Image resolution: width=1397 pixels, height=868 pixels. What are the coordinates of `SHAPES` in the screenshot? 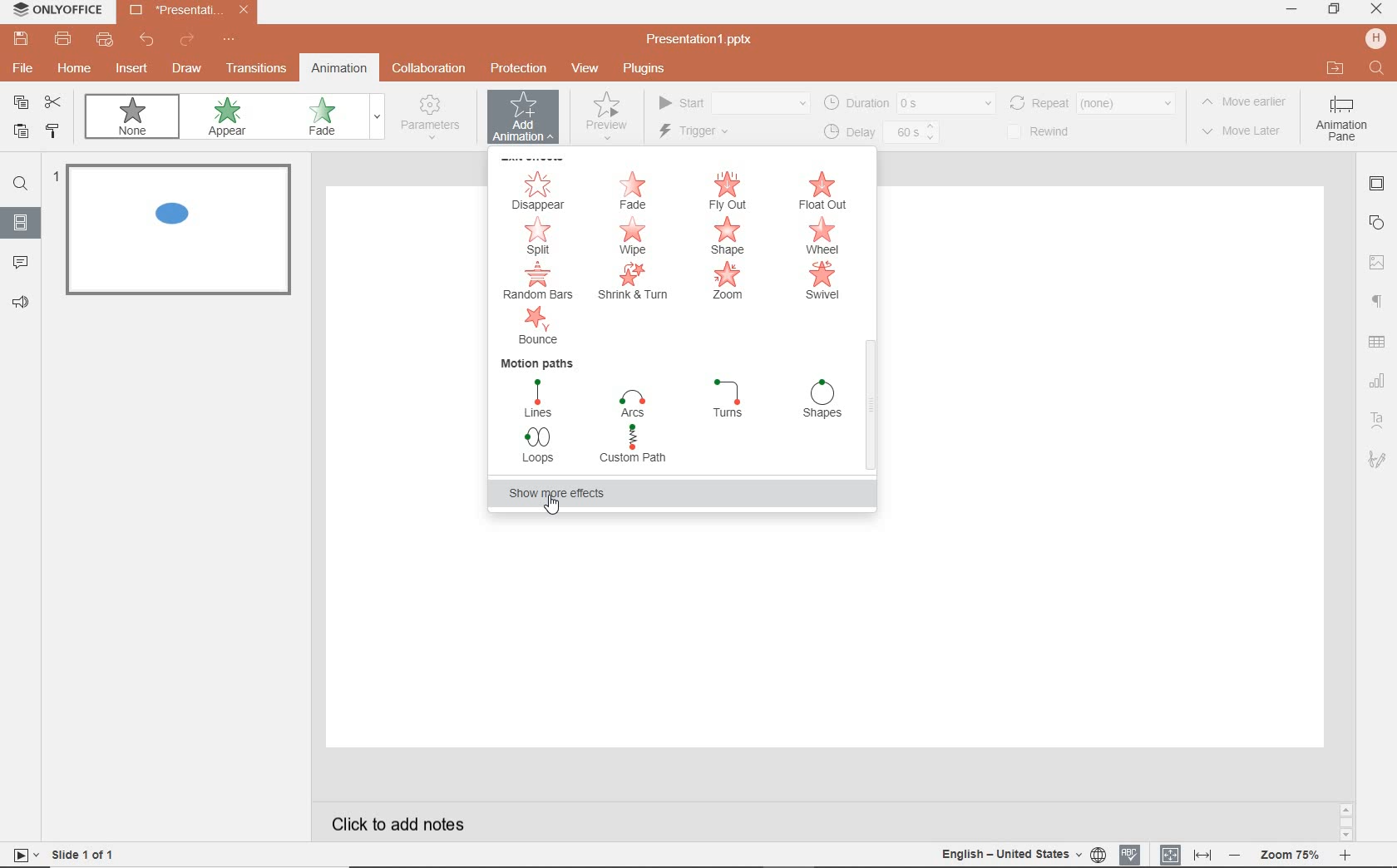 It's located at (823, 401).